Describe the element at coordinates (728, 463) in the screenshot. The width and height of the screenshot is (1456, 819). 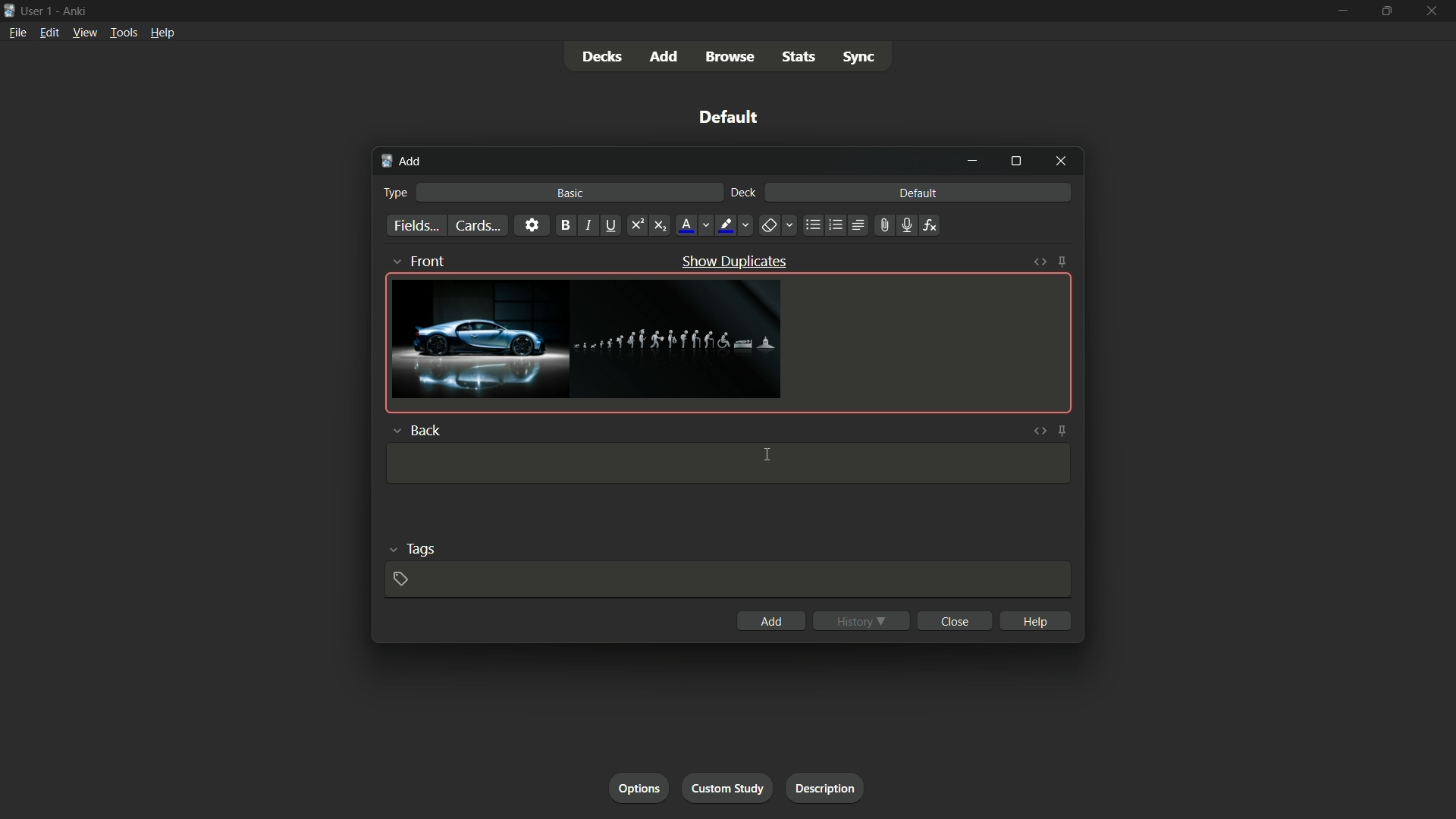
I see `Template` at that location.